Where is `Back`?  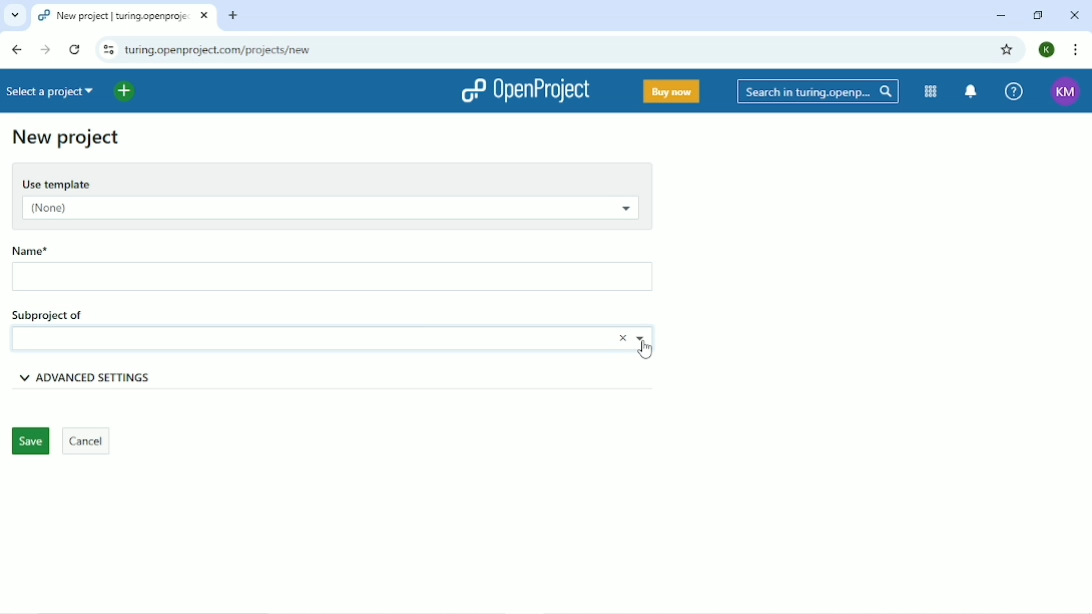
Back is located at coordinates (17, 49).